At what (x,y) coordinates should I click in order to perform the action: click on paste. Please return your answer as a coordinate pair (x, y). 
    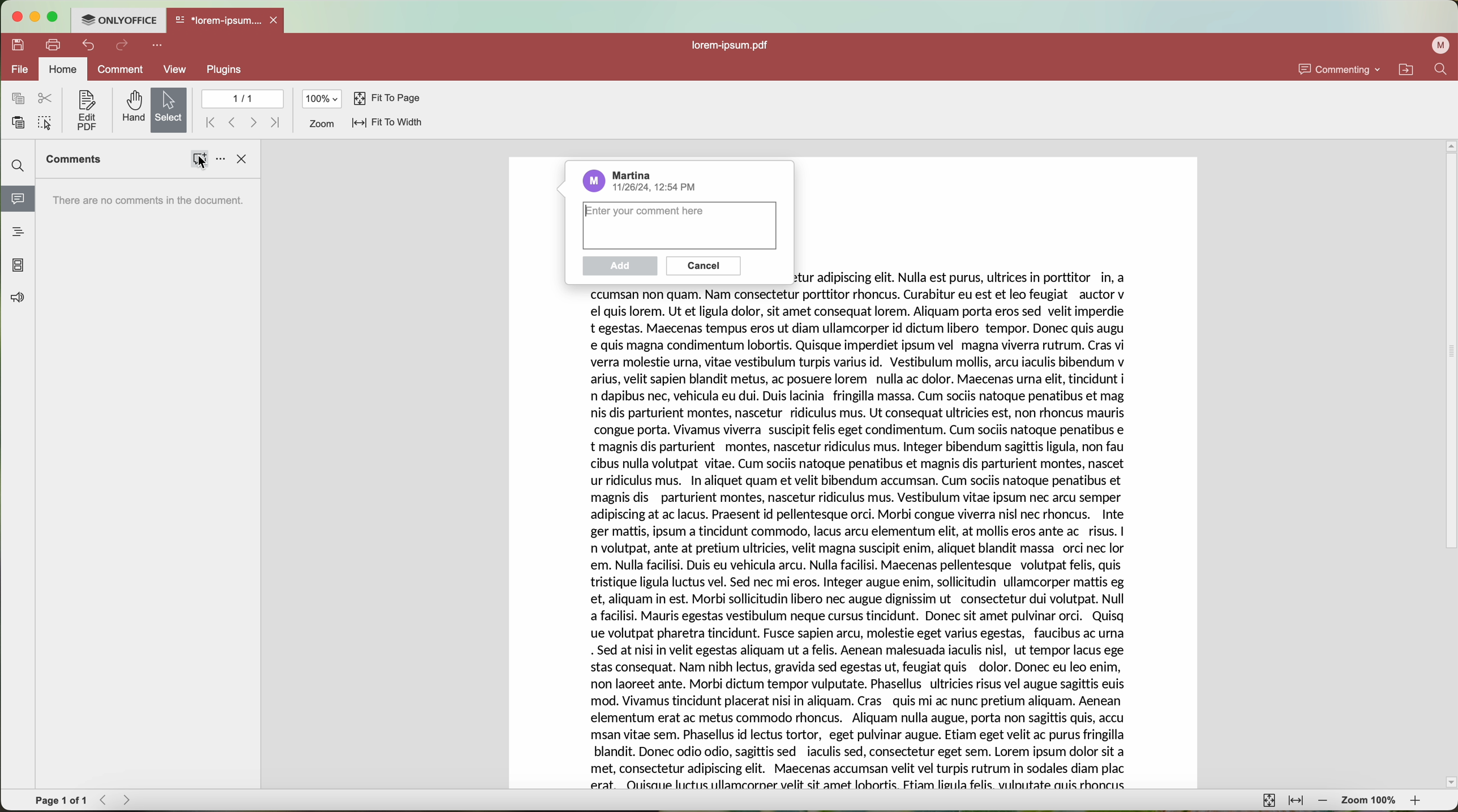
    Looking at the image, I should click on (19, 122).